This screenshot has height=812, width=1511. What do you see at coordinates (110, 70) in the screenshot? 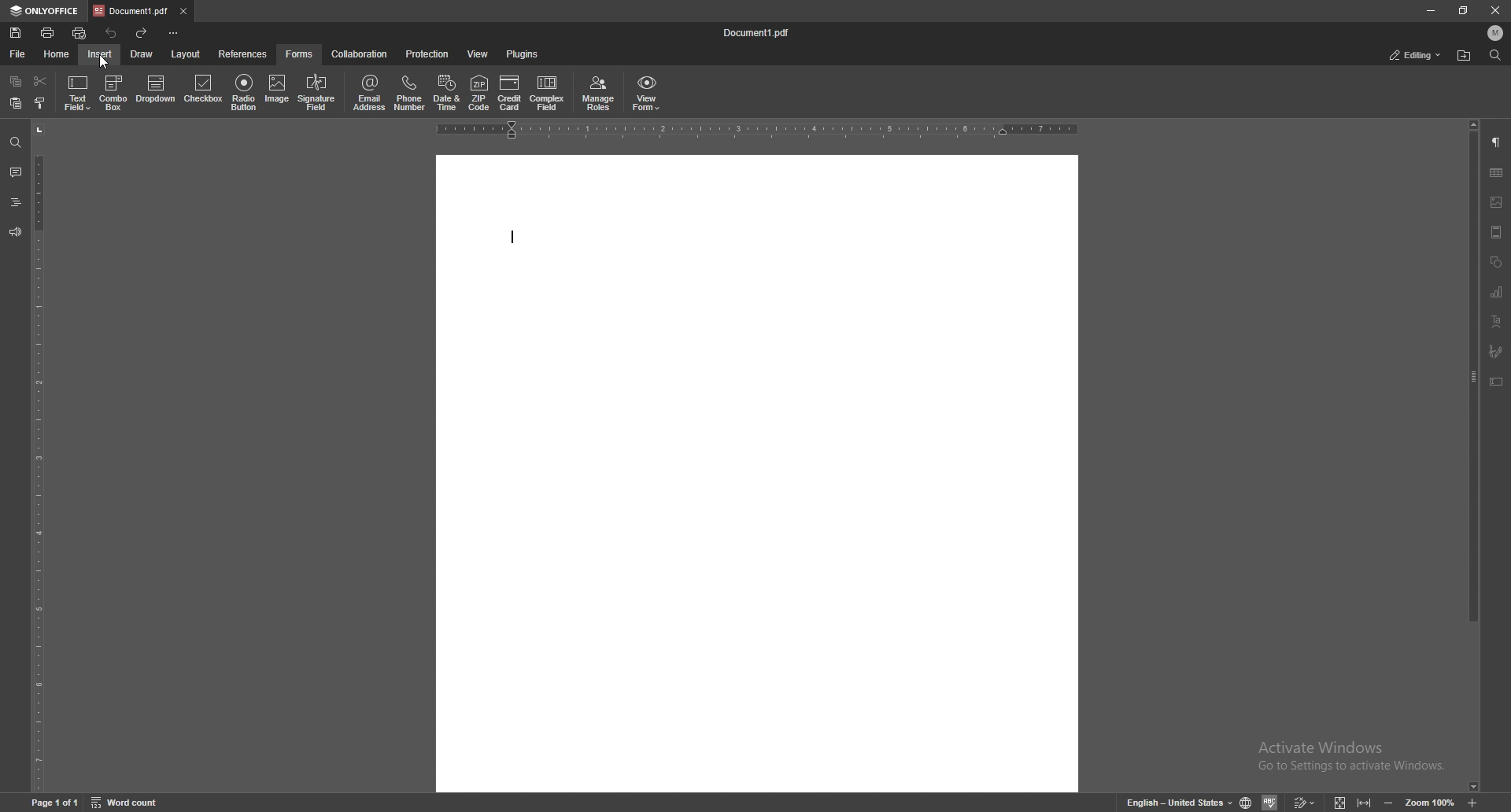
I see `cursor` at bounding box center [110, 70].